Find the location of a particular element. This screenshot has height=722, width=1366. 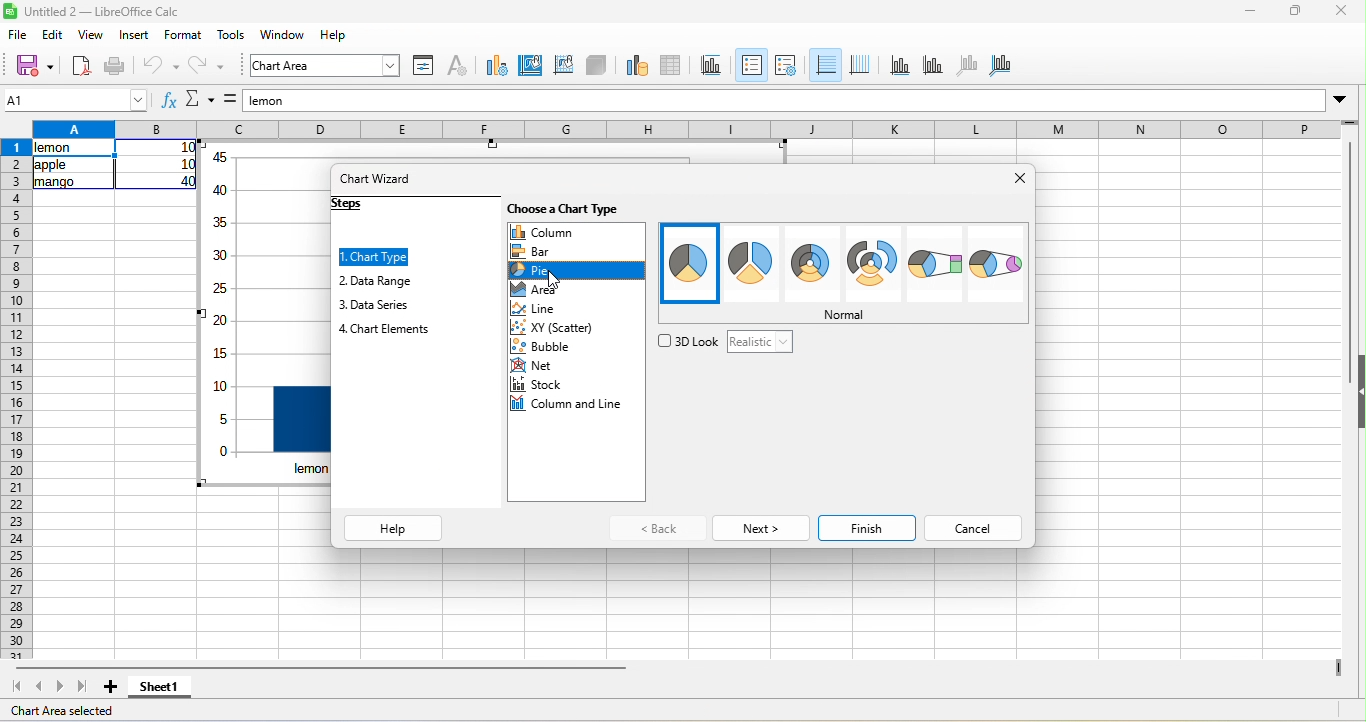

chart type is located at coordinates (495, 64).